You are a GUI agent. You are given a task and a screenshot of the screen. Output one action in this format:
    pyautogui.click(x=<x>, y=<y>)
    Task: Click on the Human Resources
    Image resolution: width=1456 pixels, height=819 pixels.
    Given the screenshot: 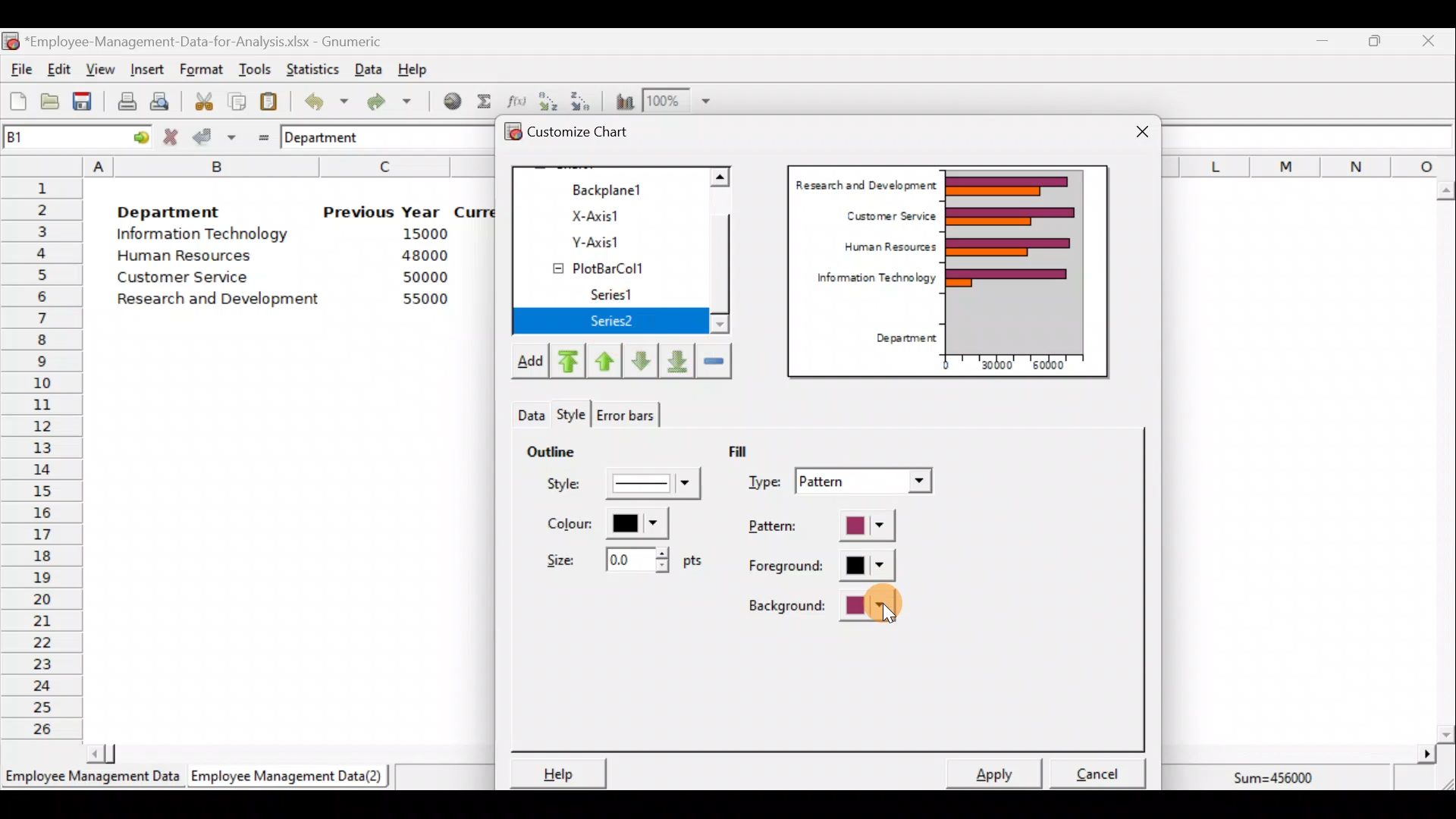 What is the action you would take?
    pyautogui.click(x=192, y=257)
    